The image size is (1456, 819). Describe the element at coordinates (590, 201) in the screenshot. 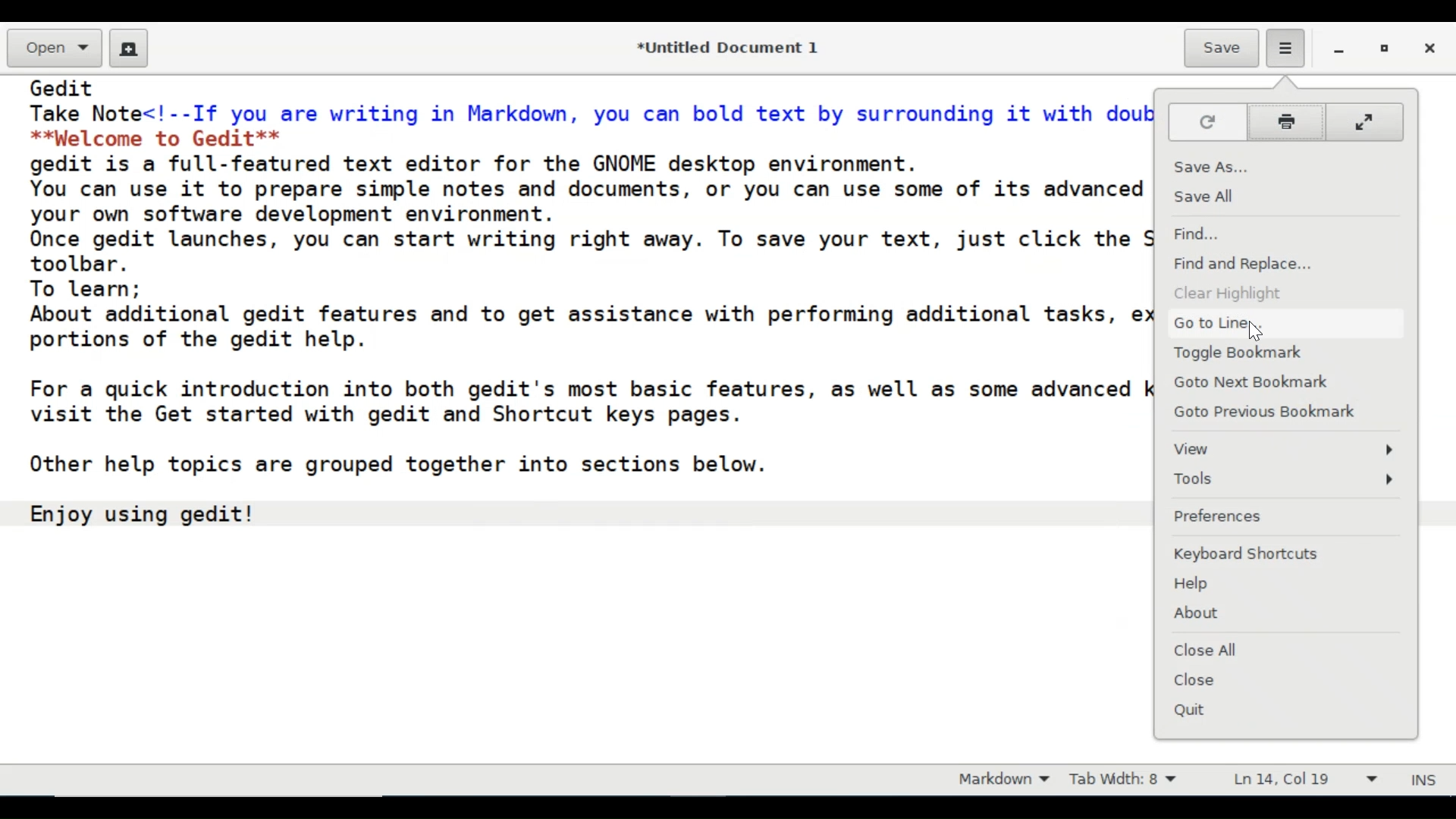

I see `You can use it to prepare simple notes and documents, or you can use some of its advanced features, making it
your own software development environment.` at that location.